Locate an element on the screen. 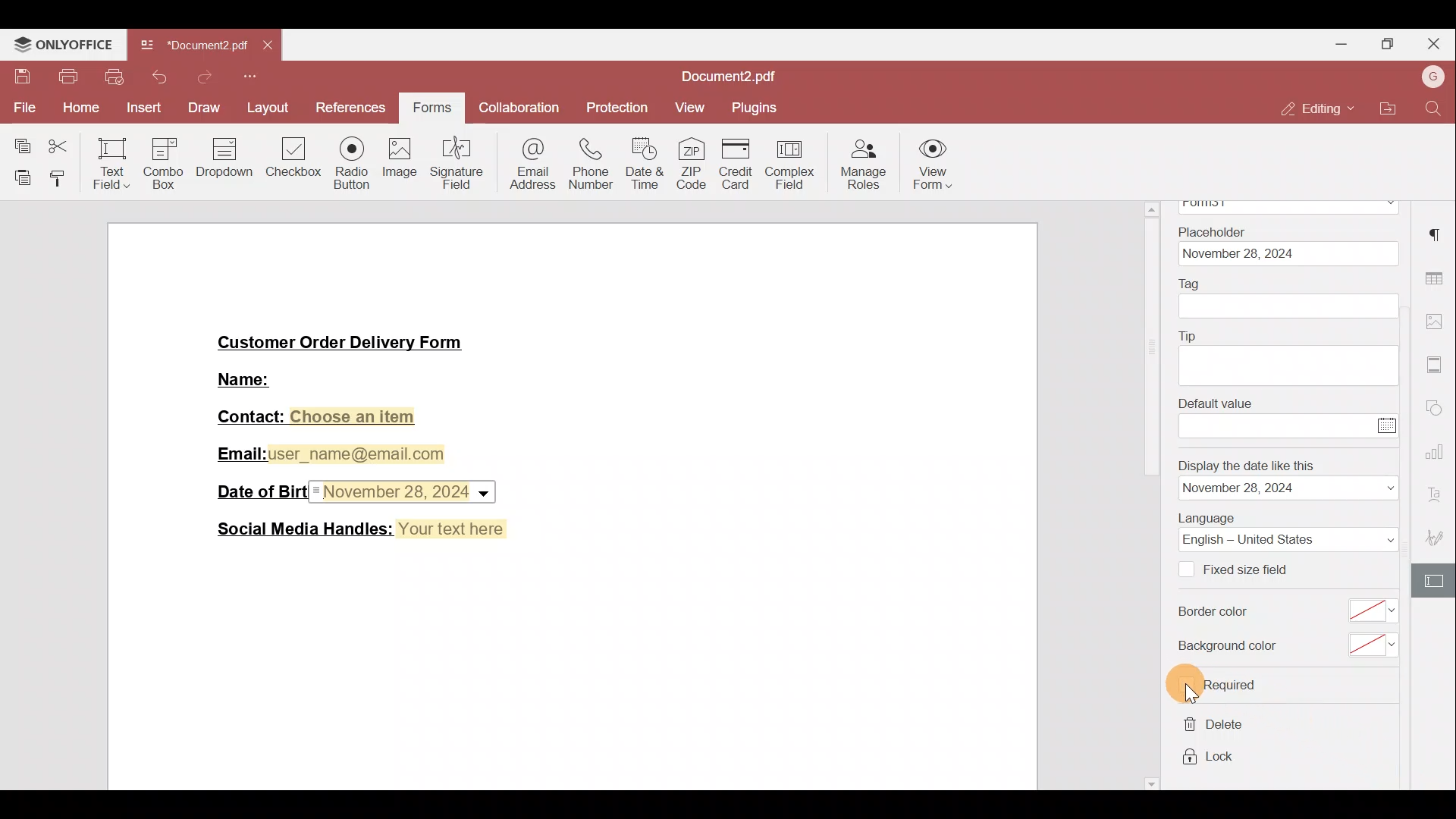  Phone number is located at coordinates (591, 160).